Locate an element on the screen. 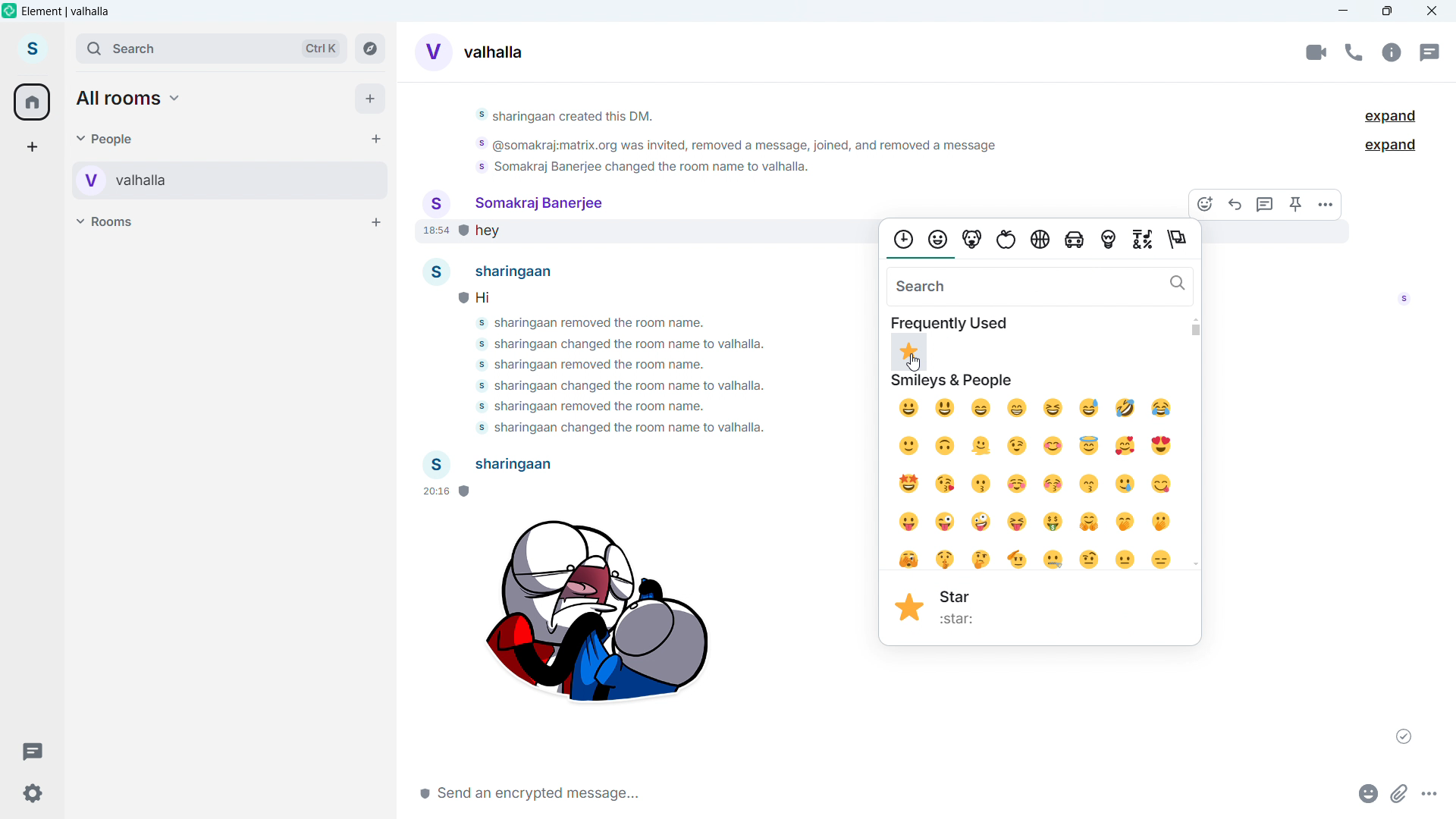  upside down face is located at coordinates (945, 448).